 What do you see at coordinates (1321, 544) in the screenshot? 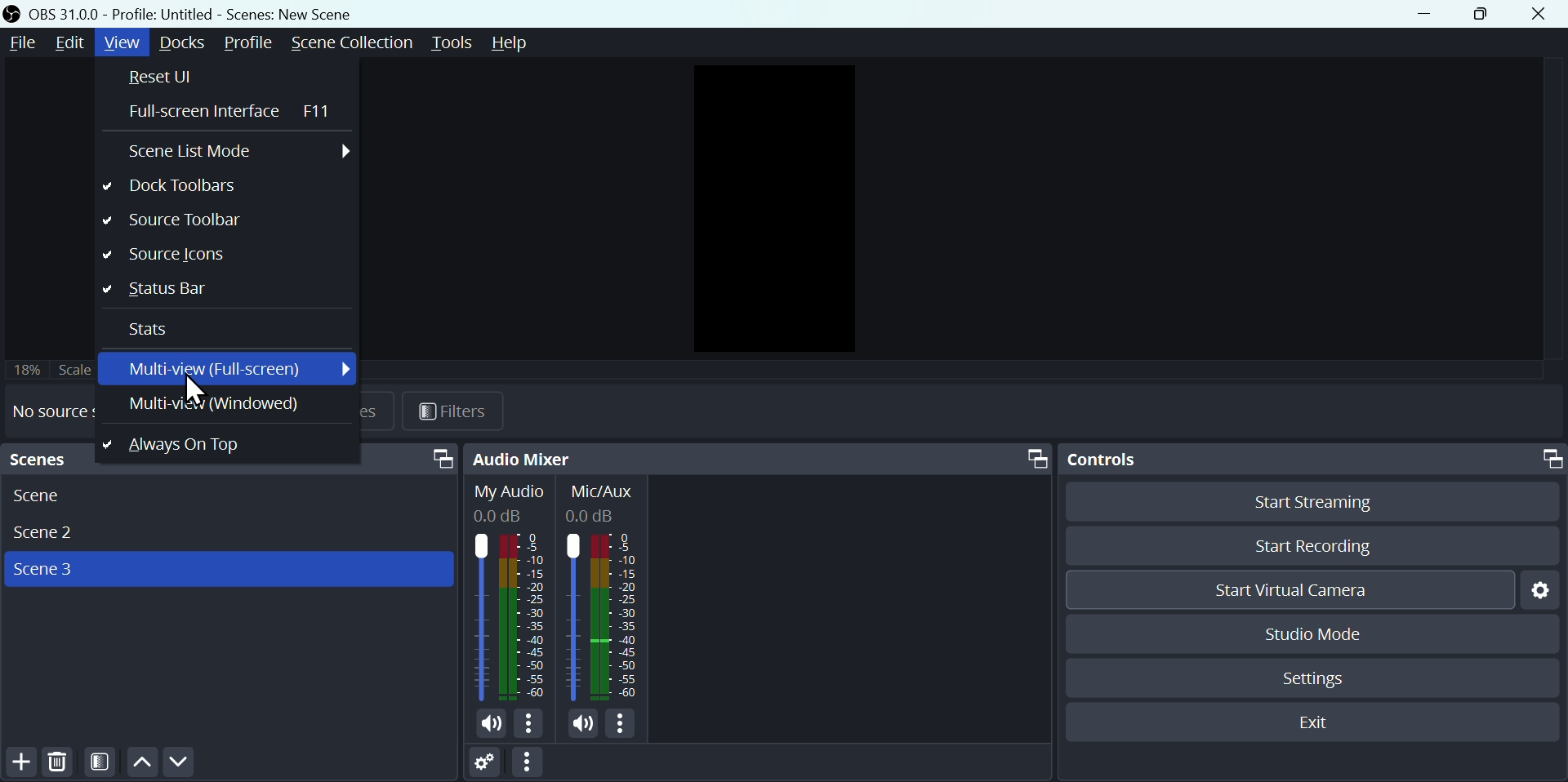
I see `Start recording` at bounding box center [1321, 544].